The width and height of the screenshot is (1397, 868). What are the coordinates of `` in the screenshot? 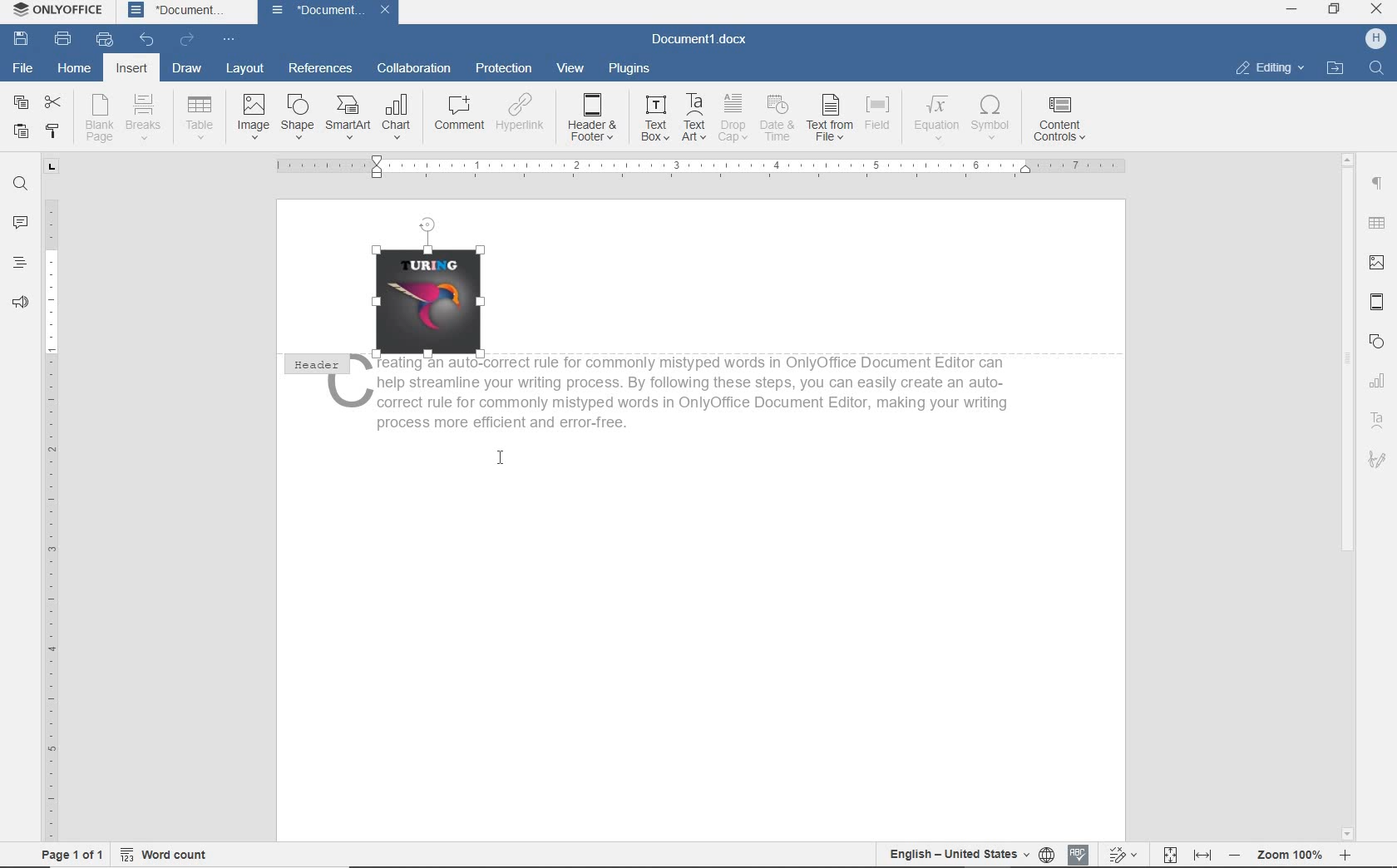 It's located at (594, 115).